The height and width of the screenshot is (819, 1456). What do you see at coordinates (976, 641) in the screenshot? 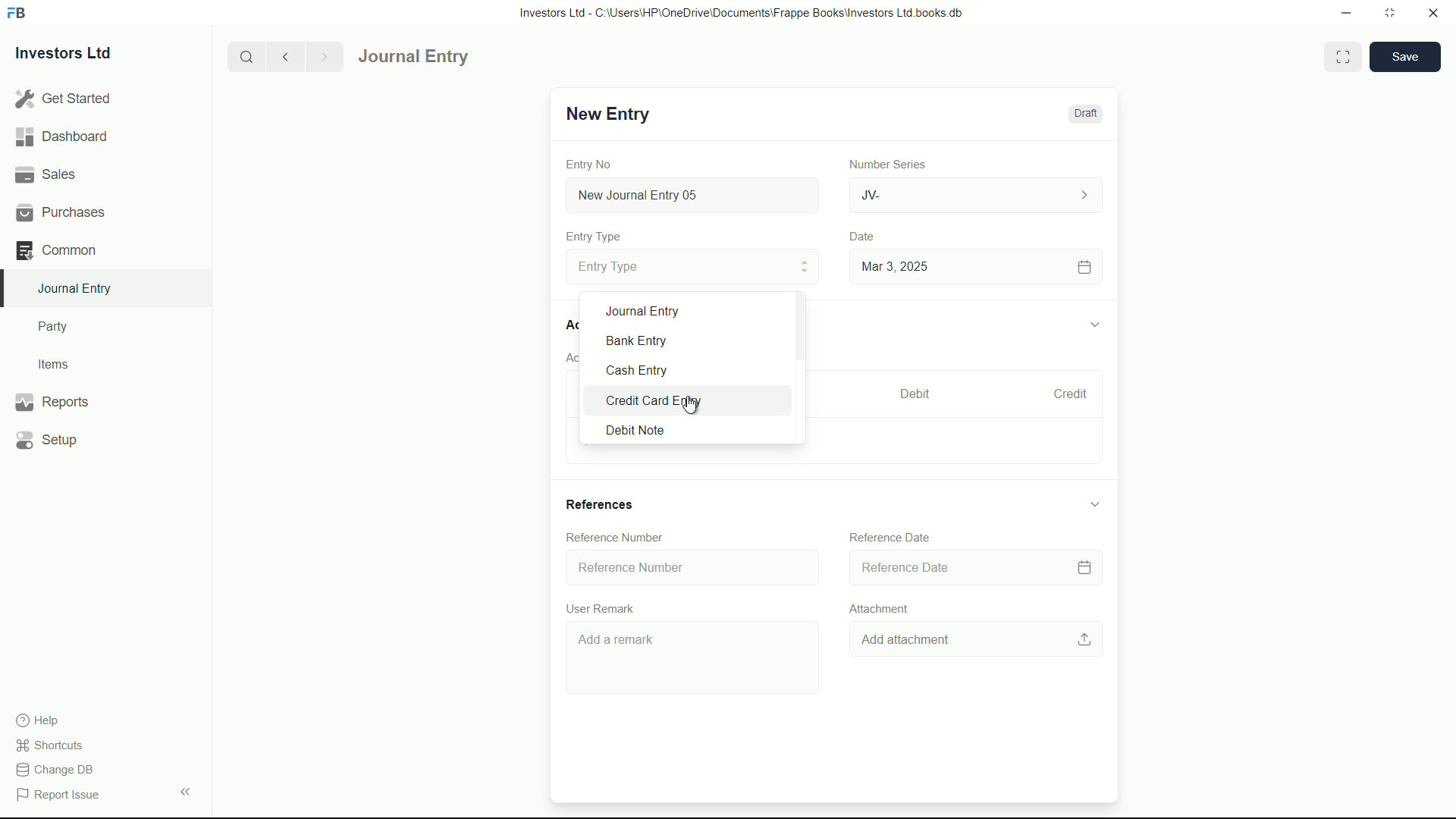
I see `Add attachment` at bounding box center [976, 641].